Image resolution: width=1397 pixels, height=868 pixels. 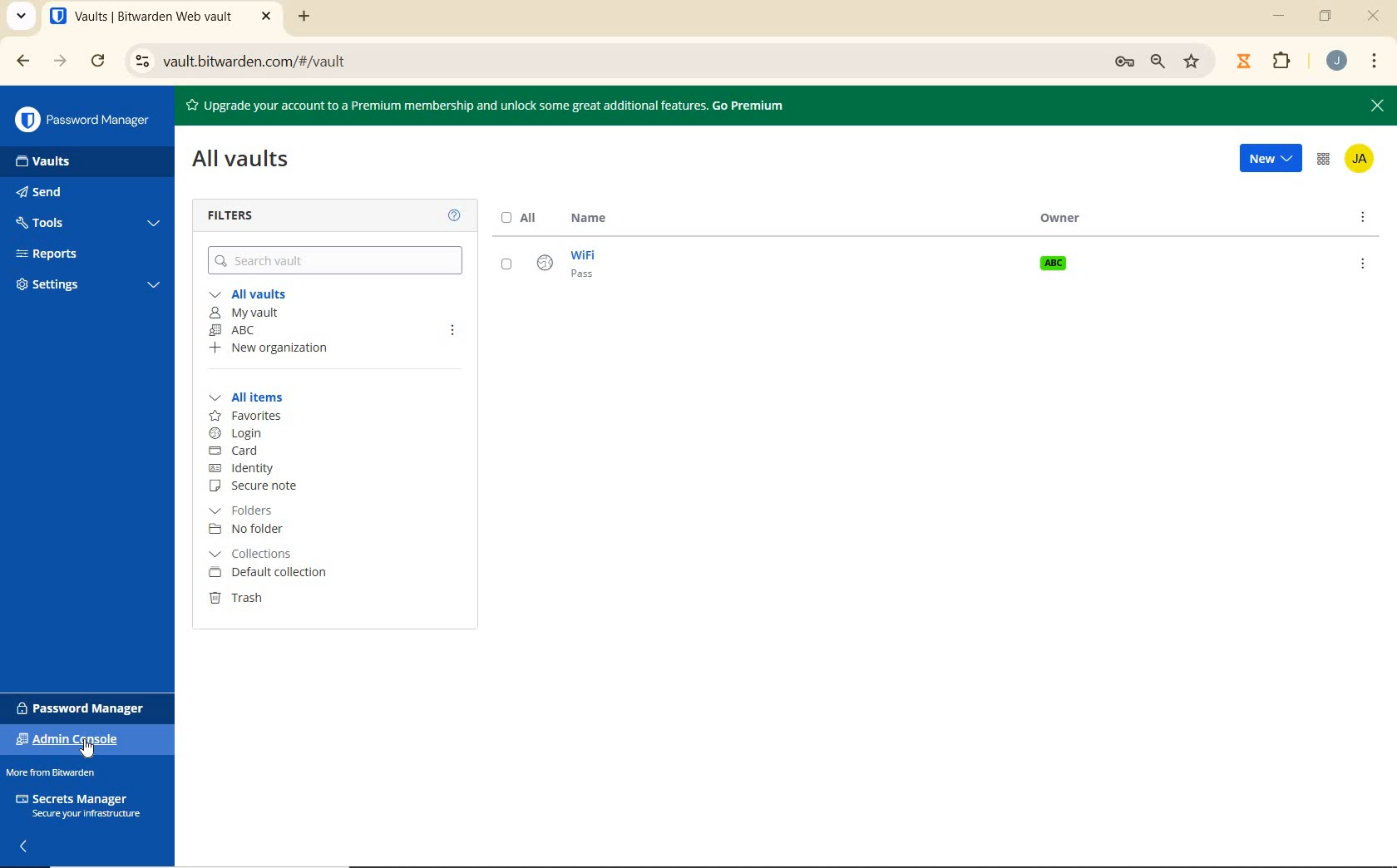 I want to click on BACK, so click(x=24, y=62).